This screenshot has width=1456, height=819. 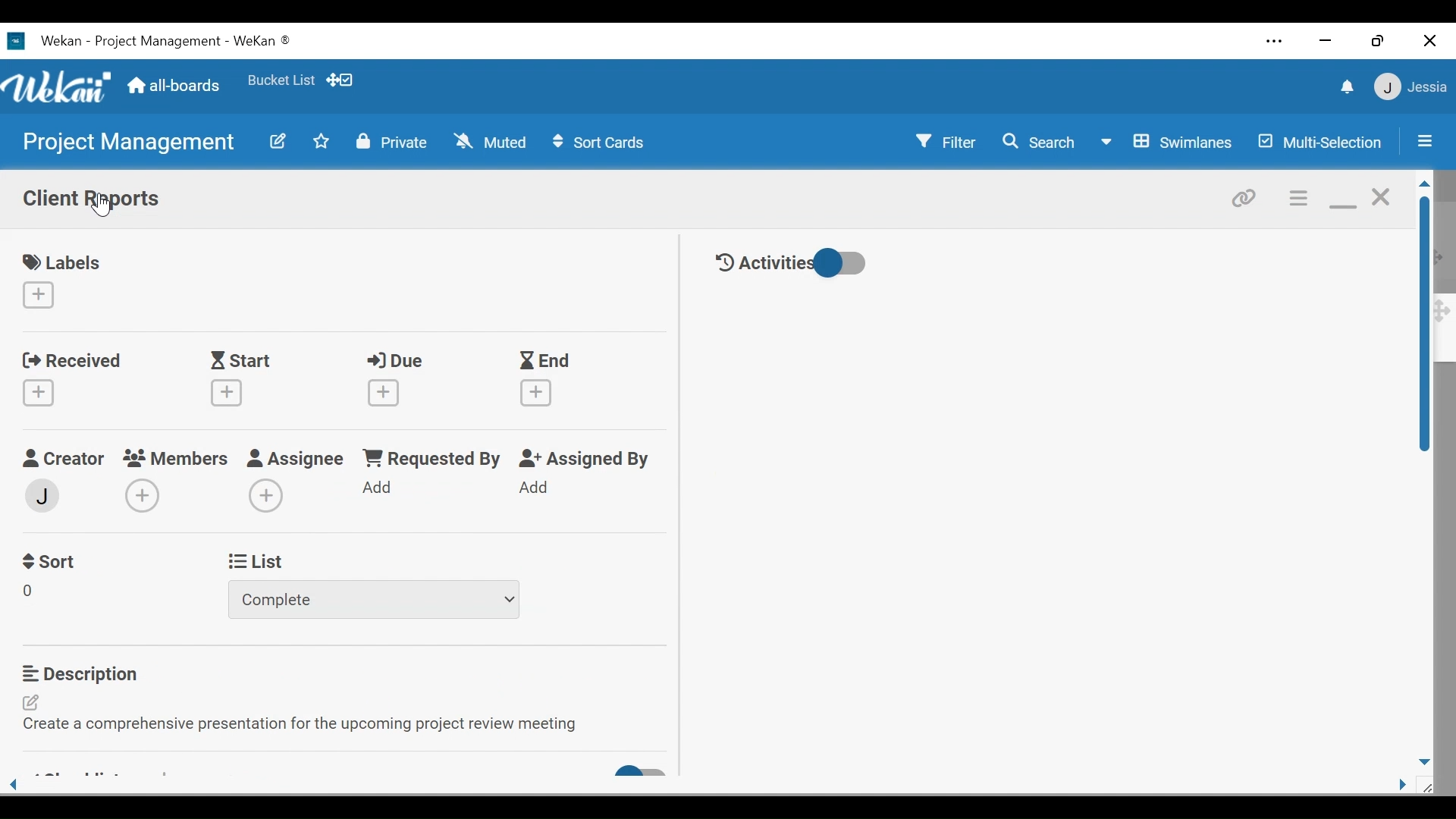 I want to click on Toggle favorites, so click(x=280, y=80).